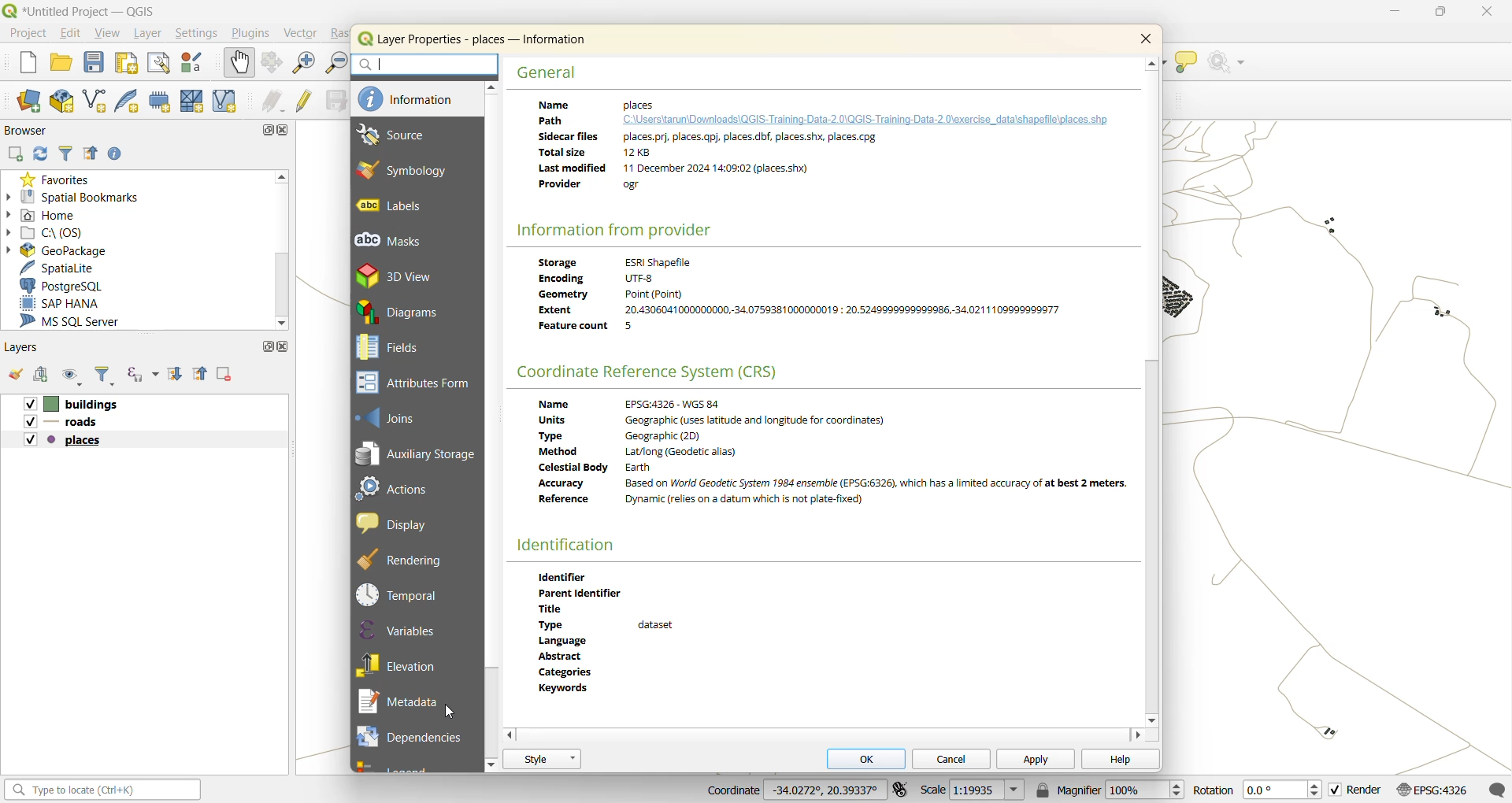 This screenshot has width=1512, height=803. What do you see at coordinates (898, 790) in the screenshot?
I see `toggle extensions` at bounding box center [898, 790].